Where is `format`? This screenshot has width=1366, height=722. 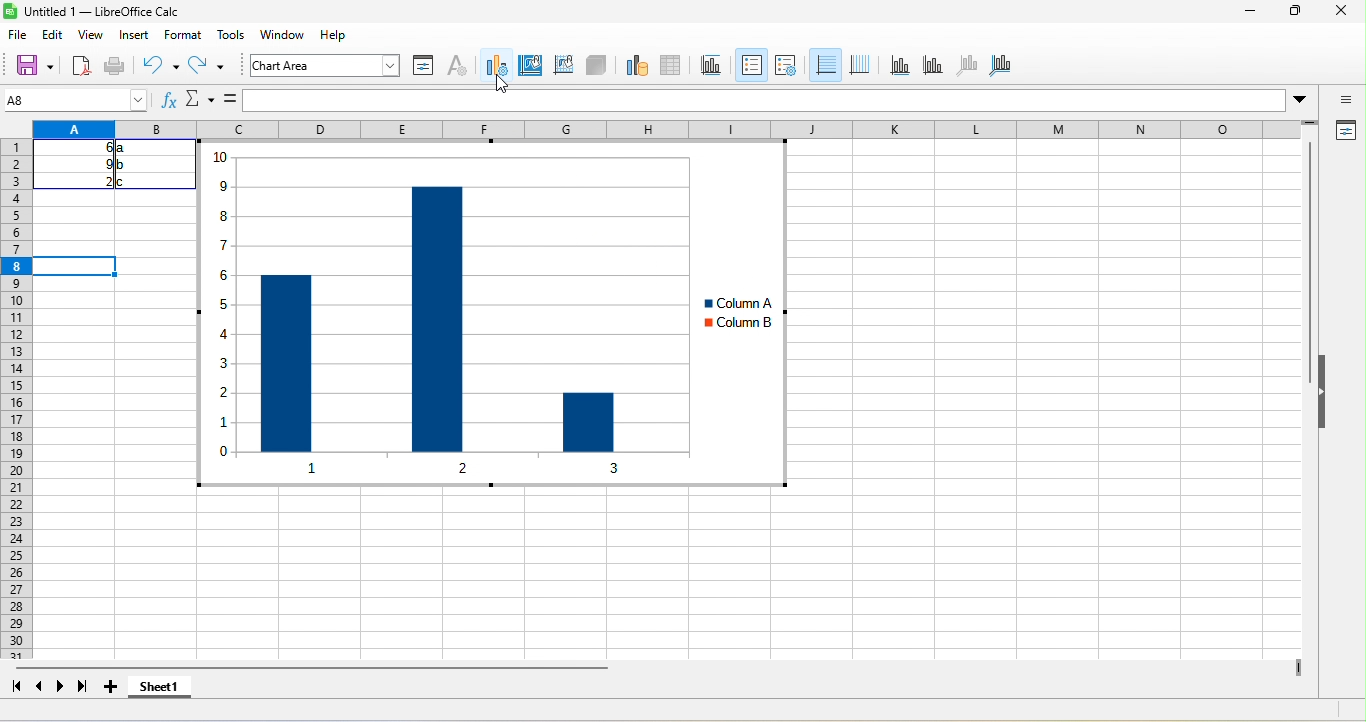
format is located at coordinates (182, 36).